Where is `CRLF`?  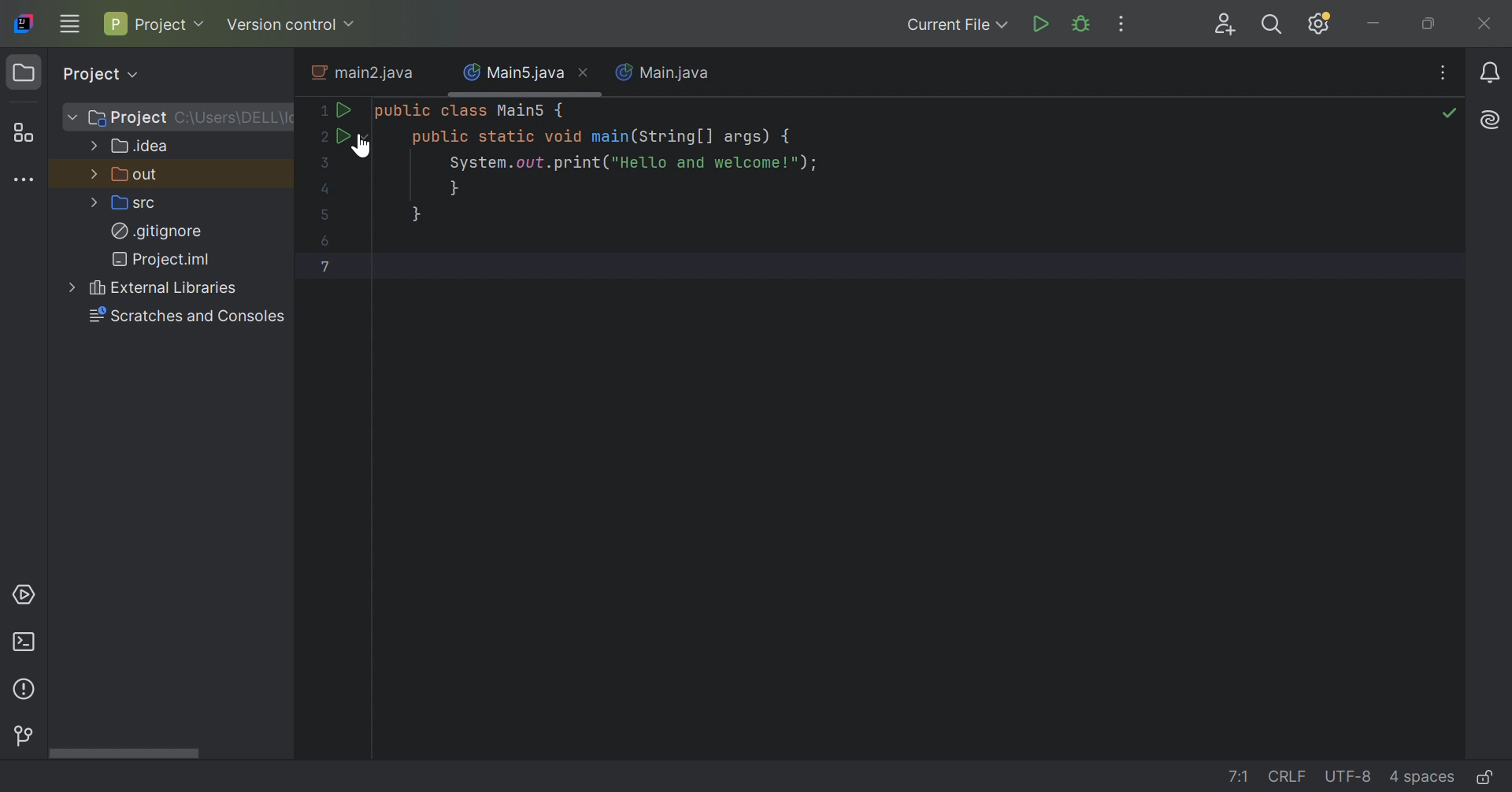 CRLF is located at coordinates (1285, 775).